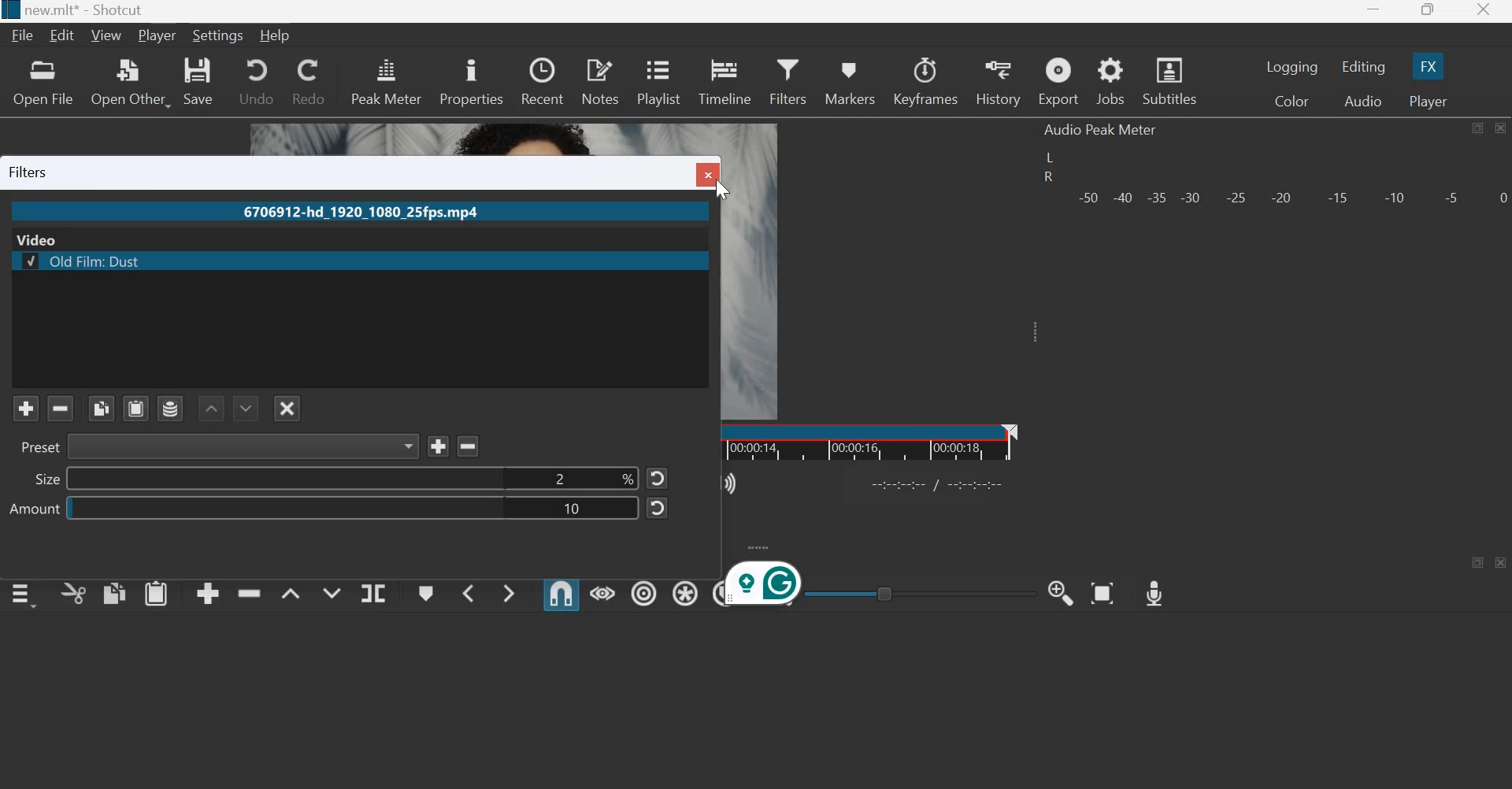 The height and width of the screenshot is (789, 1512). What do you see at coordinates (33, 511) in the screenshot?
I see `Amount` at bounding box center [33, 511].